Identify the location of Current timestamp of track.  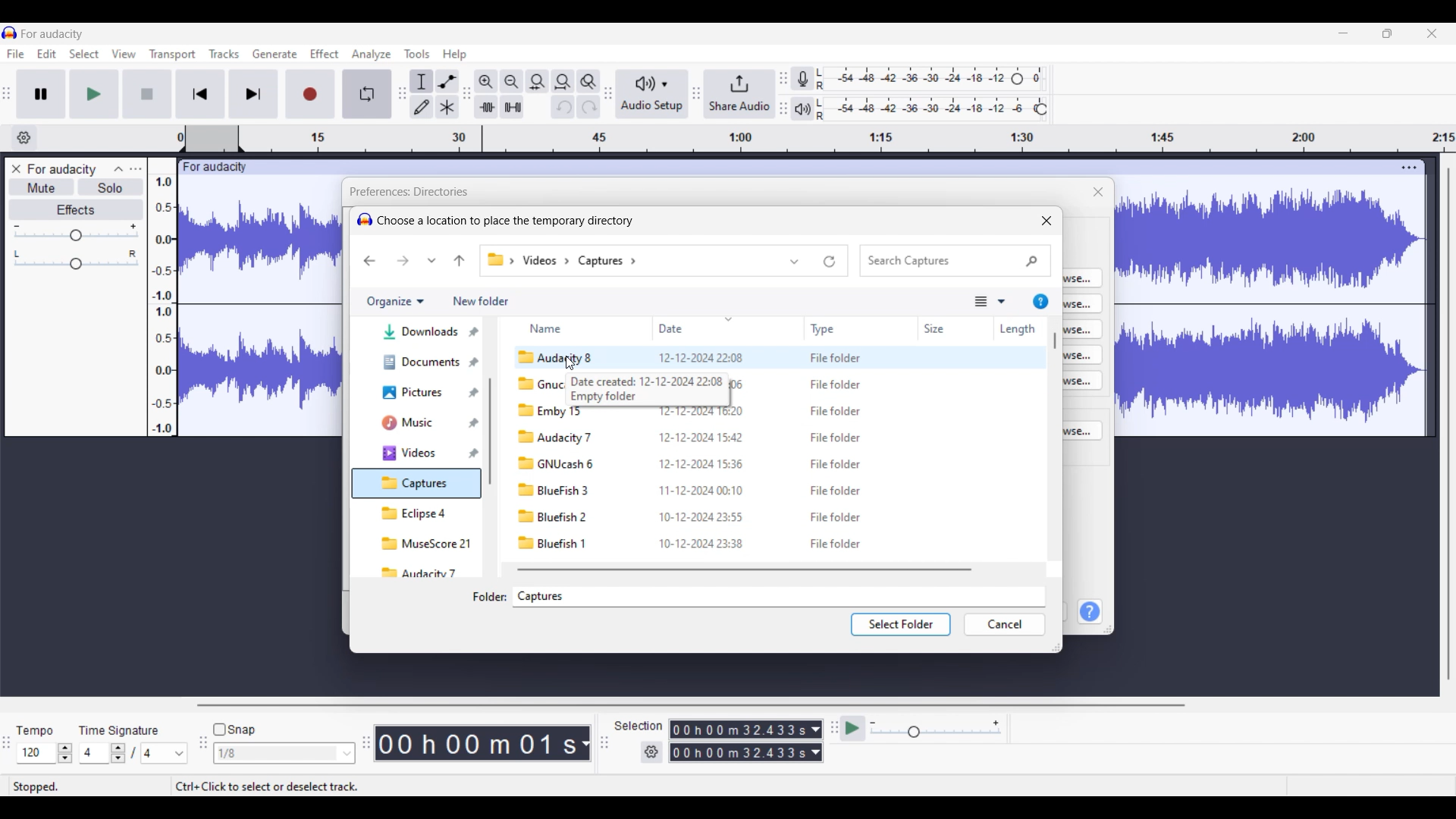
(476, 743).